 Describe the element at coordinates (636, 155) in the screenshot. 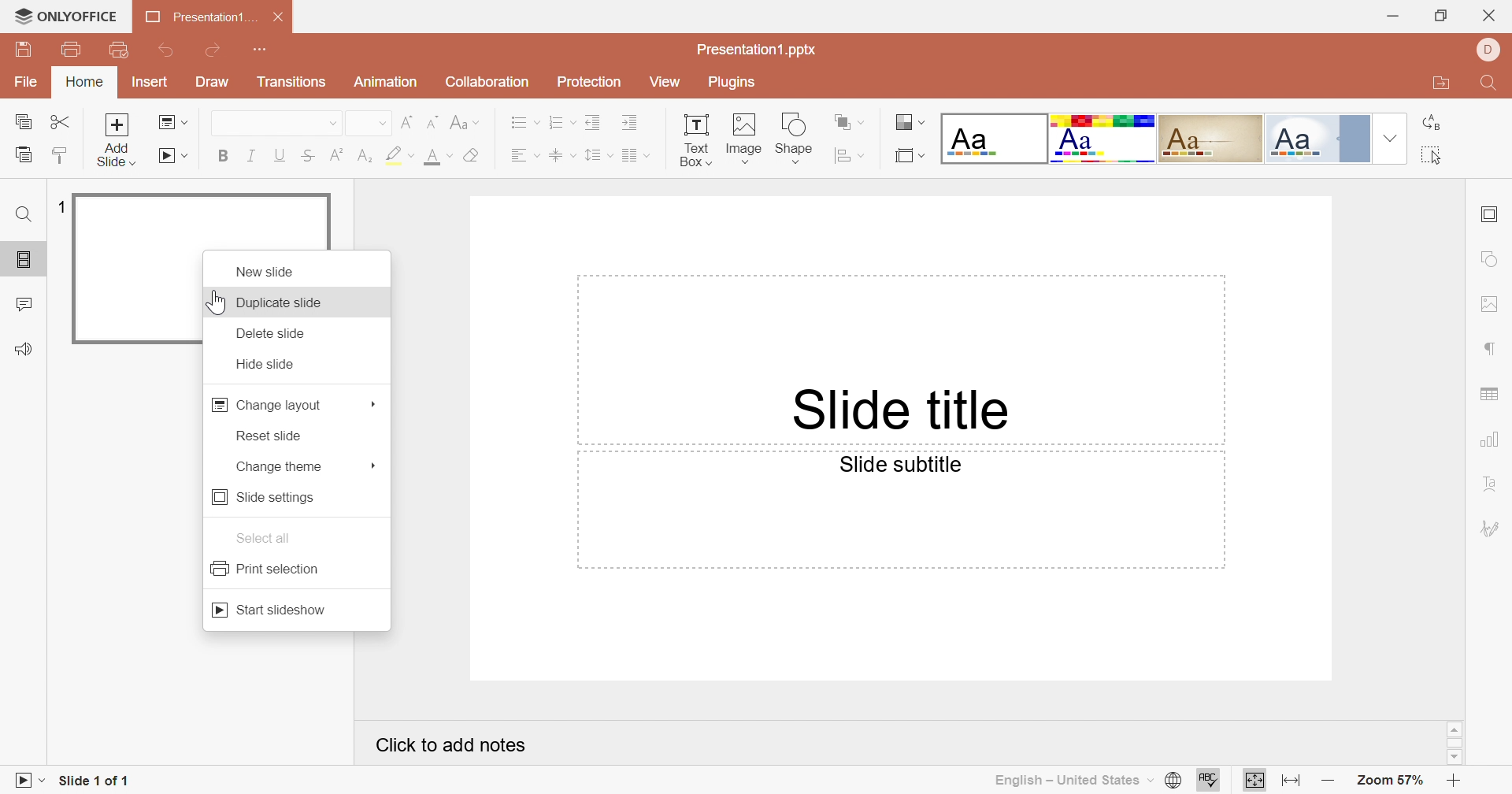

I see `Merge and center` at that location.